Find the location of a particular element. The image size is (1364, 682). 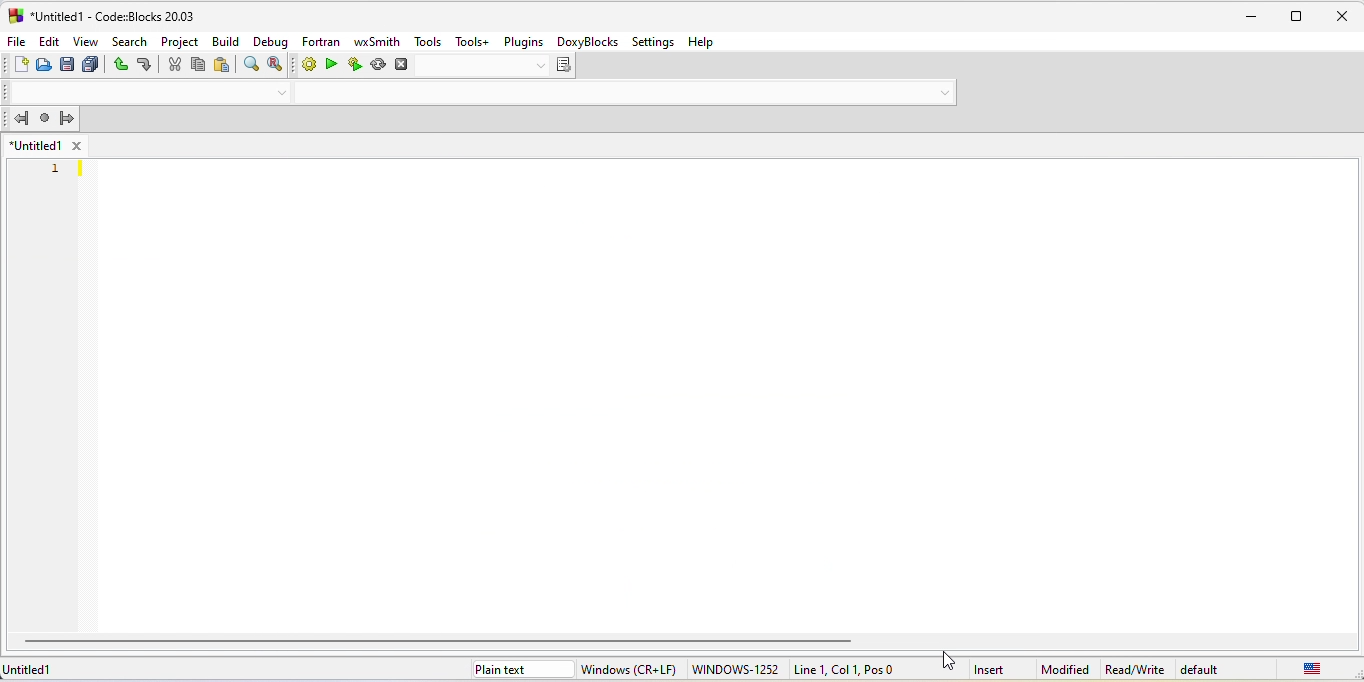

save is located at coordinates (67, 64).